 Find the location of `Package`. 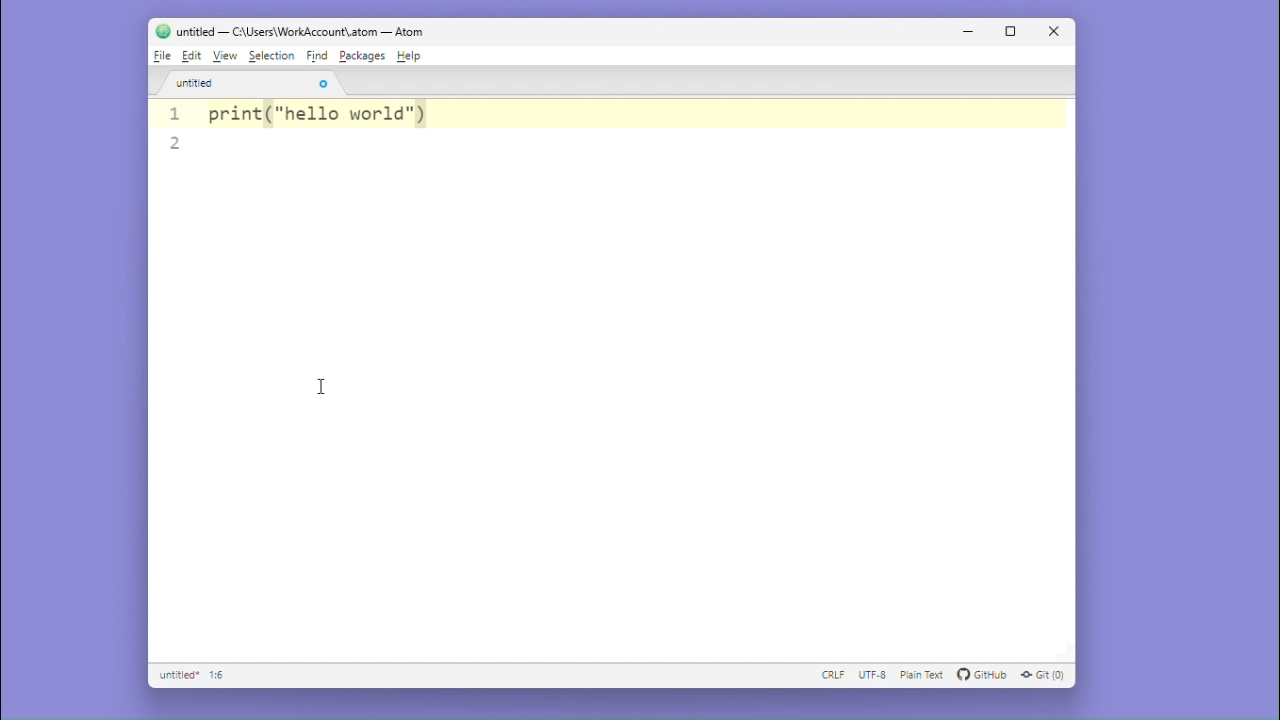

Package is located at coordinates (362, 57).